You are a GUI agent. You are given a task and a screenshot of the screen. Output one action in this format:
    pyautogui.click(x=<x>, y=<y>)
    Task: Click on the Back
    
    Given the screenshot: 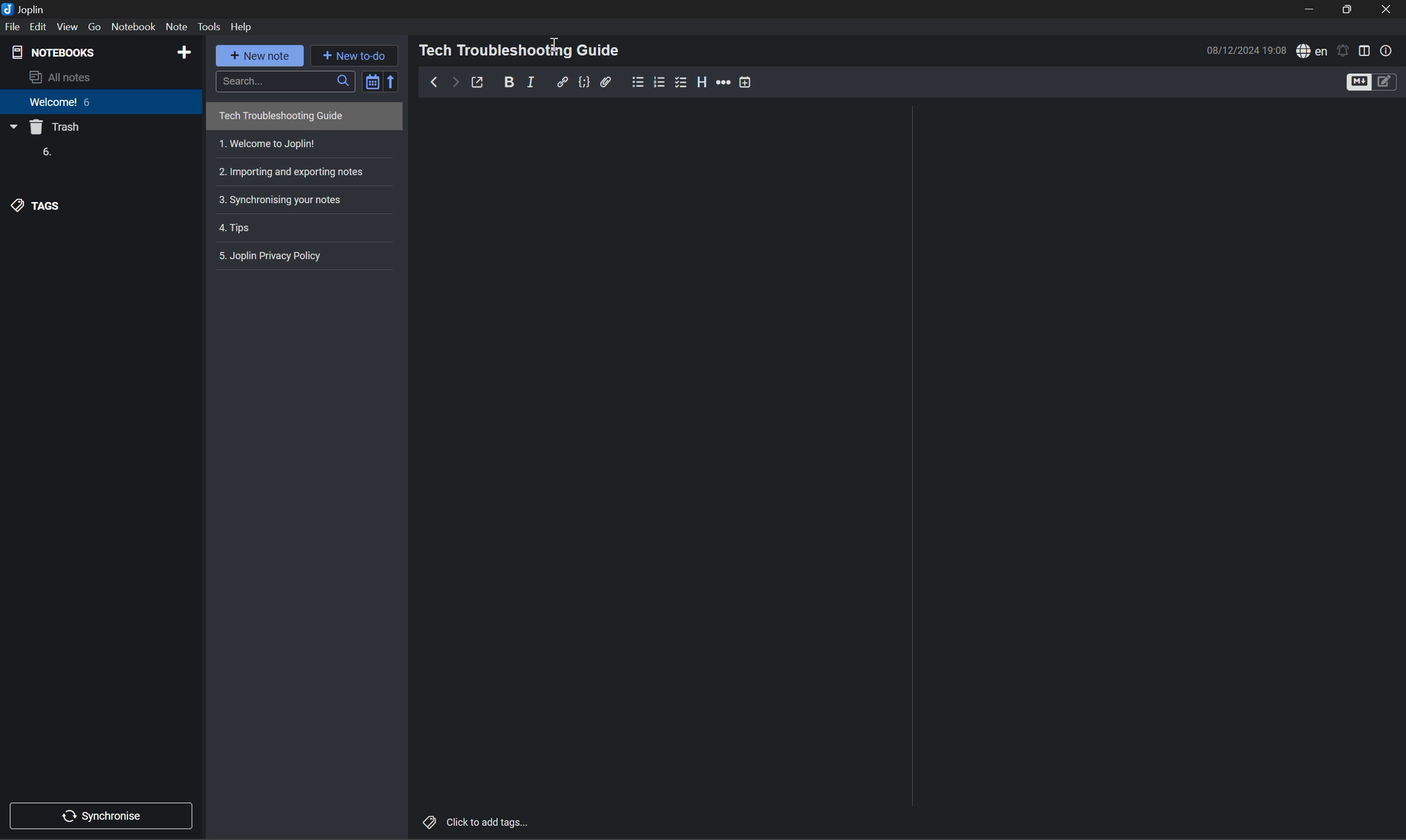 What is the action you would take?
    pyautogui.click(x=431, y=82)
    